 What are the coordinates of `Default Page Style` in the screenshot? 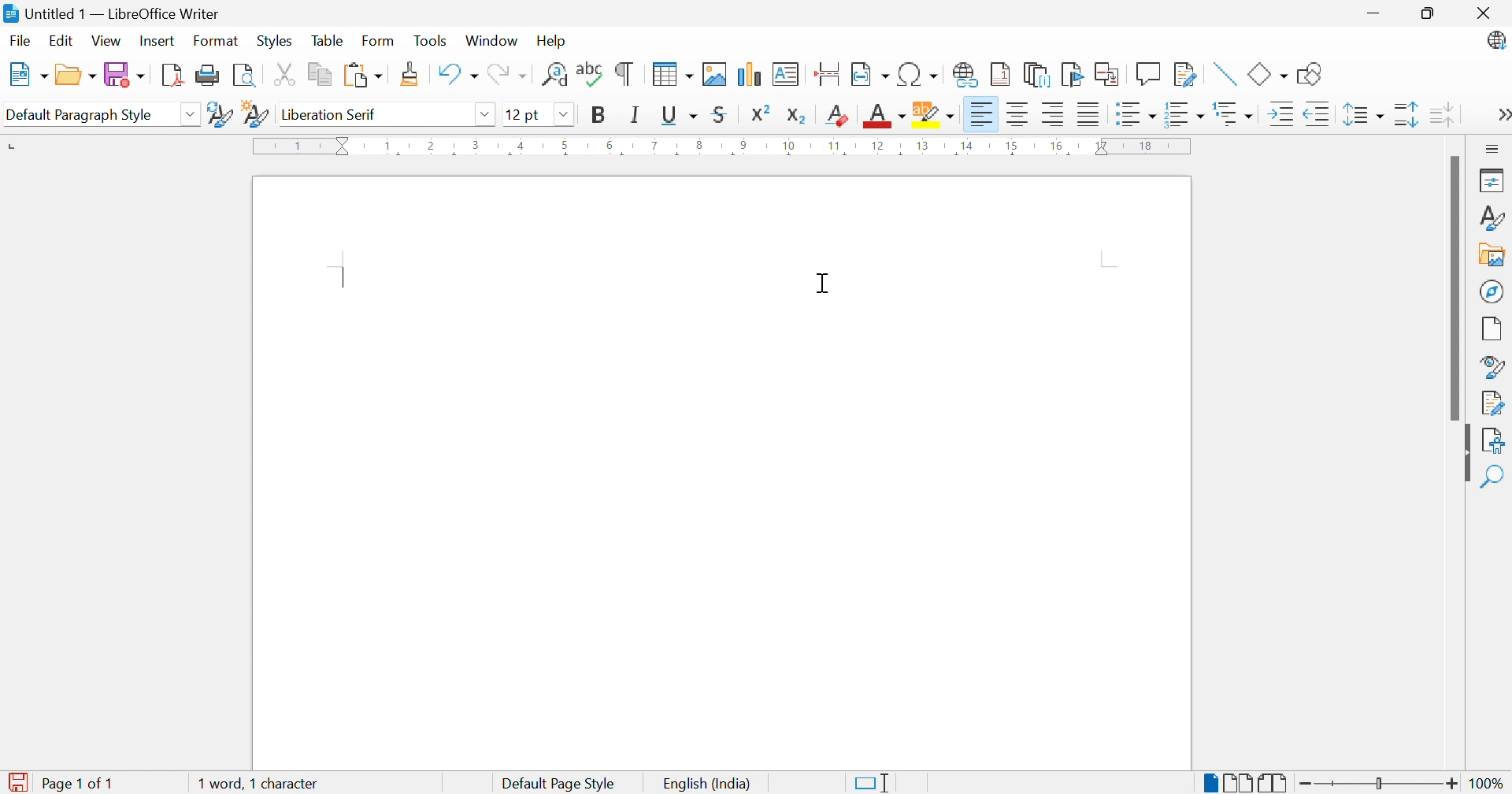 It's located at (561, 782).